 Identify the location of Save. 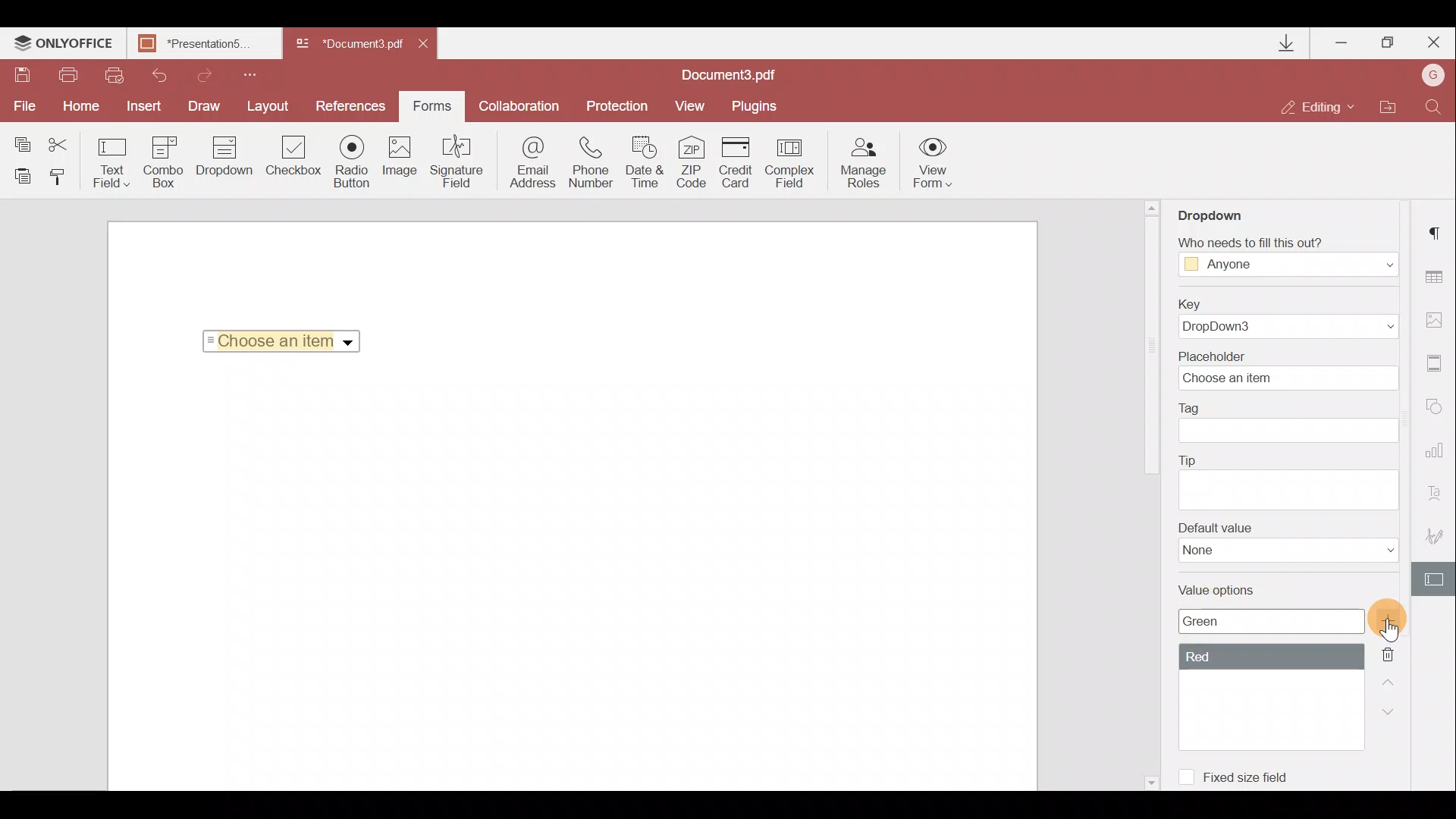
(22, 75).